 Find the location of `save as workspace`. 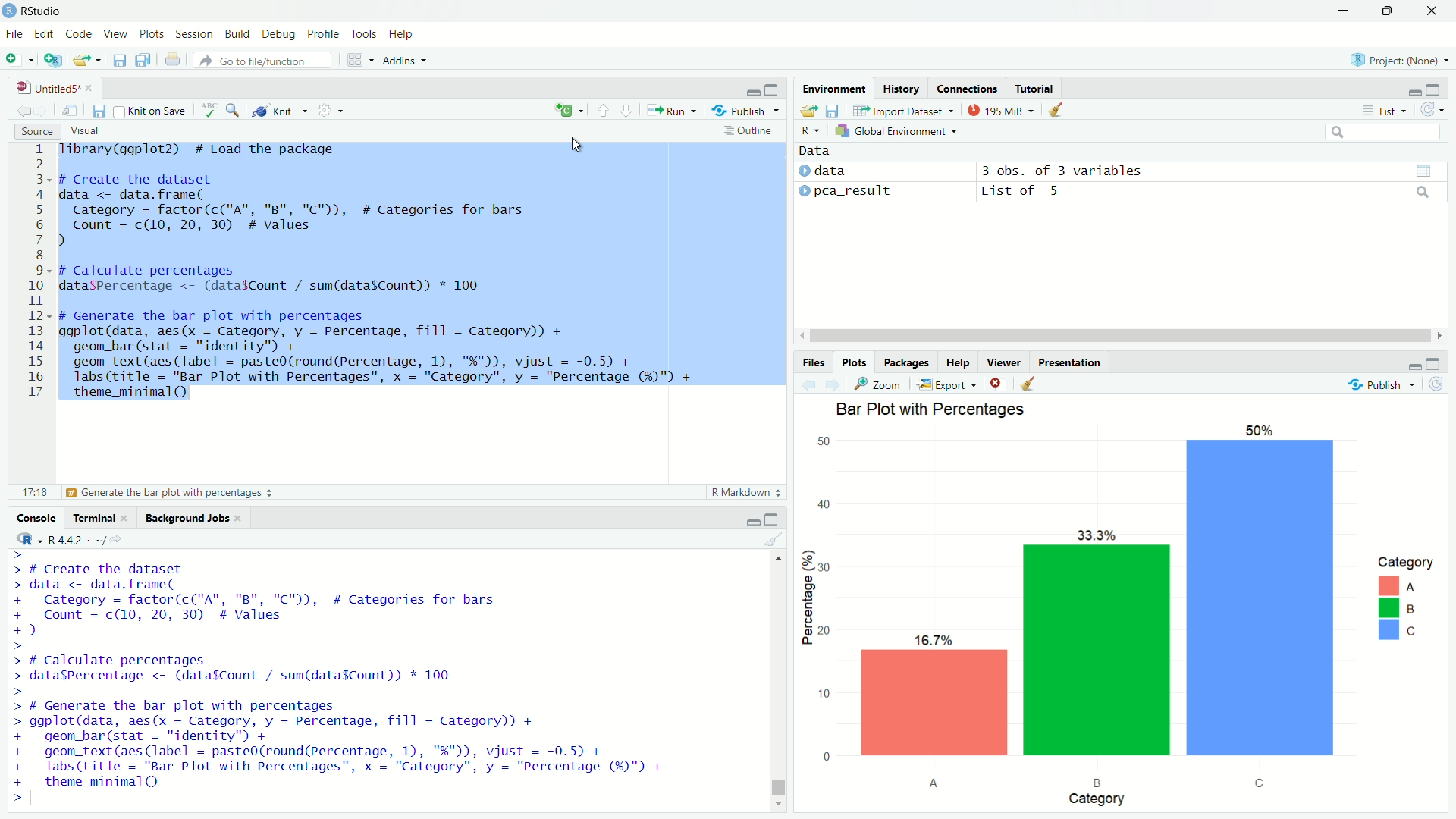

save as workspace is located at coordinates (836, 110).